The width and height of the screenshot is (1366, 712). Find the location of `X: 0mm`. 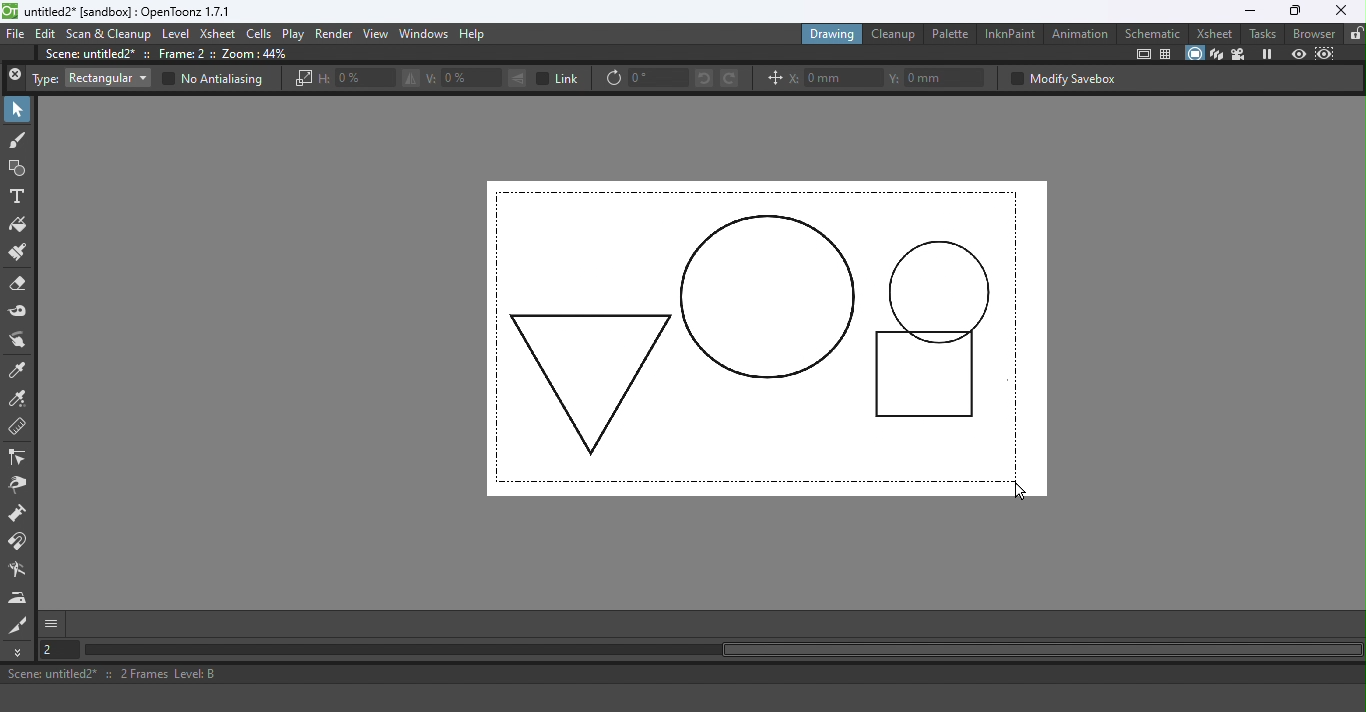

X: 0mm is located at coordinates (835, 78).